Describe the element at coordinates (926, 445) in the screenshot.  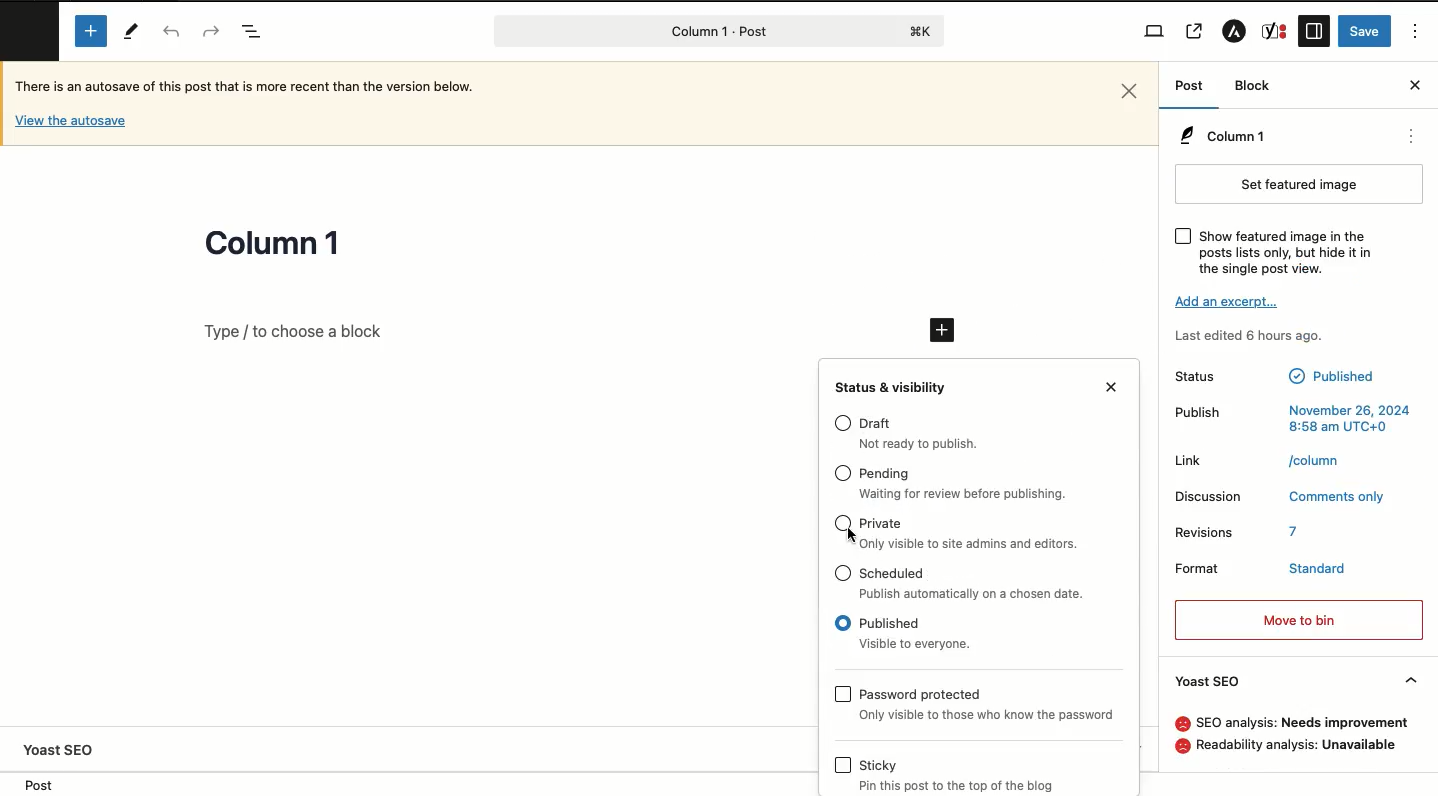
I see `Draft` at that location.